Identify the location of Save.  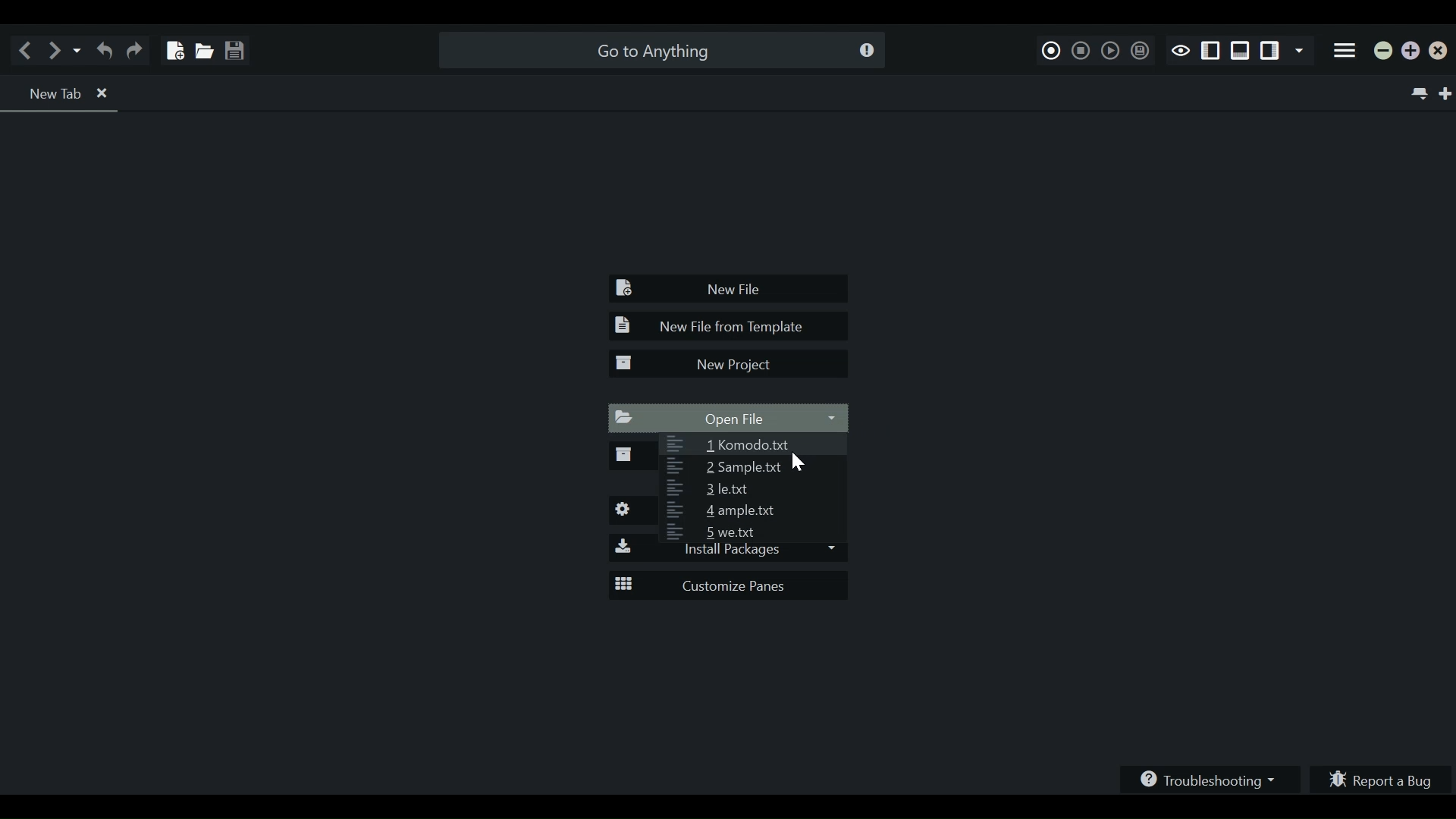
(234, 46).